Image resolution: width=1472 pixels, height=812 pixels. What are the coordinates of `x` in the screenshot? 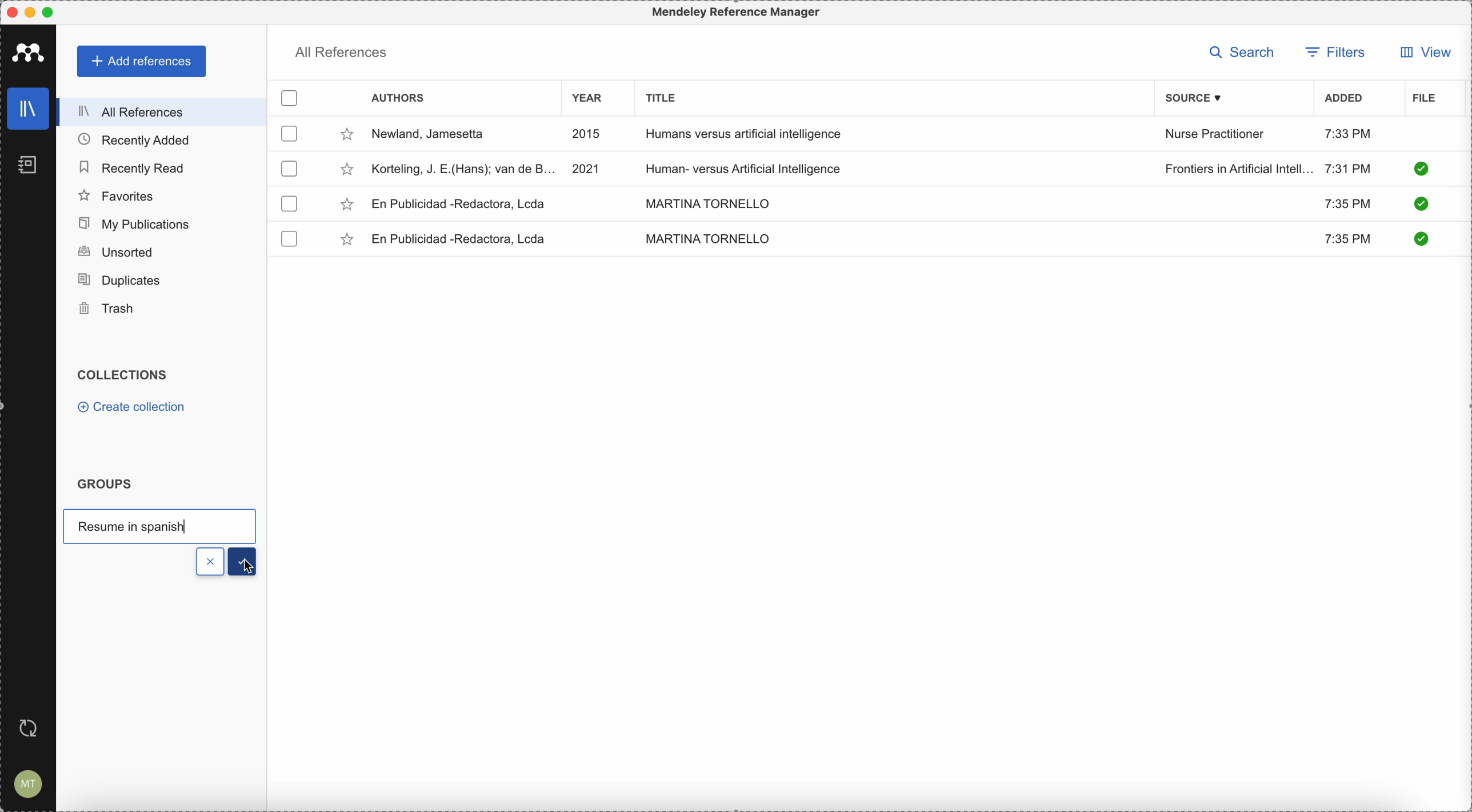 It's located at (209, 561).